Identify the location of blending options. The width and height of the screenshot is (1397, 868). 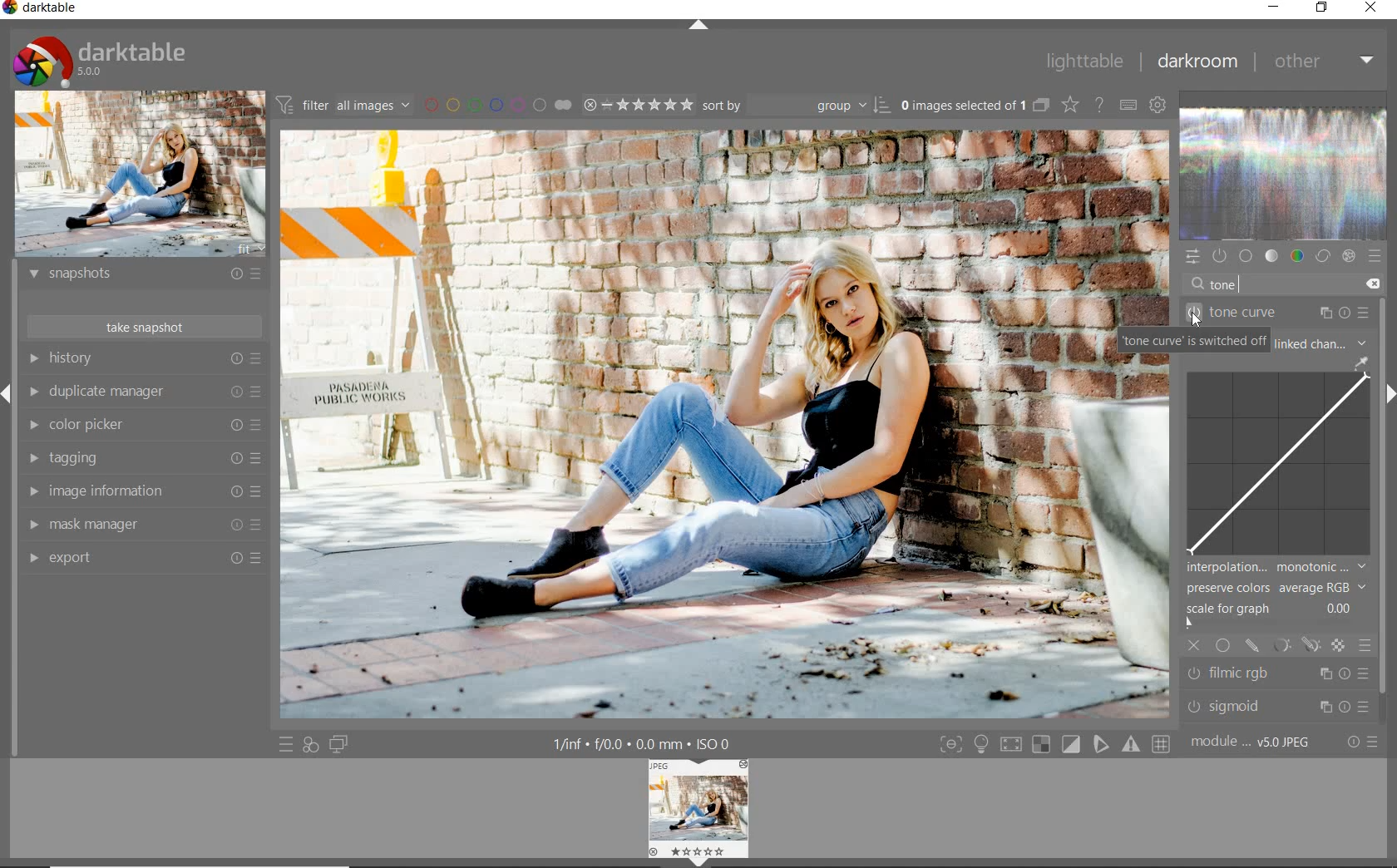
(1366, 648).